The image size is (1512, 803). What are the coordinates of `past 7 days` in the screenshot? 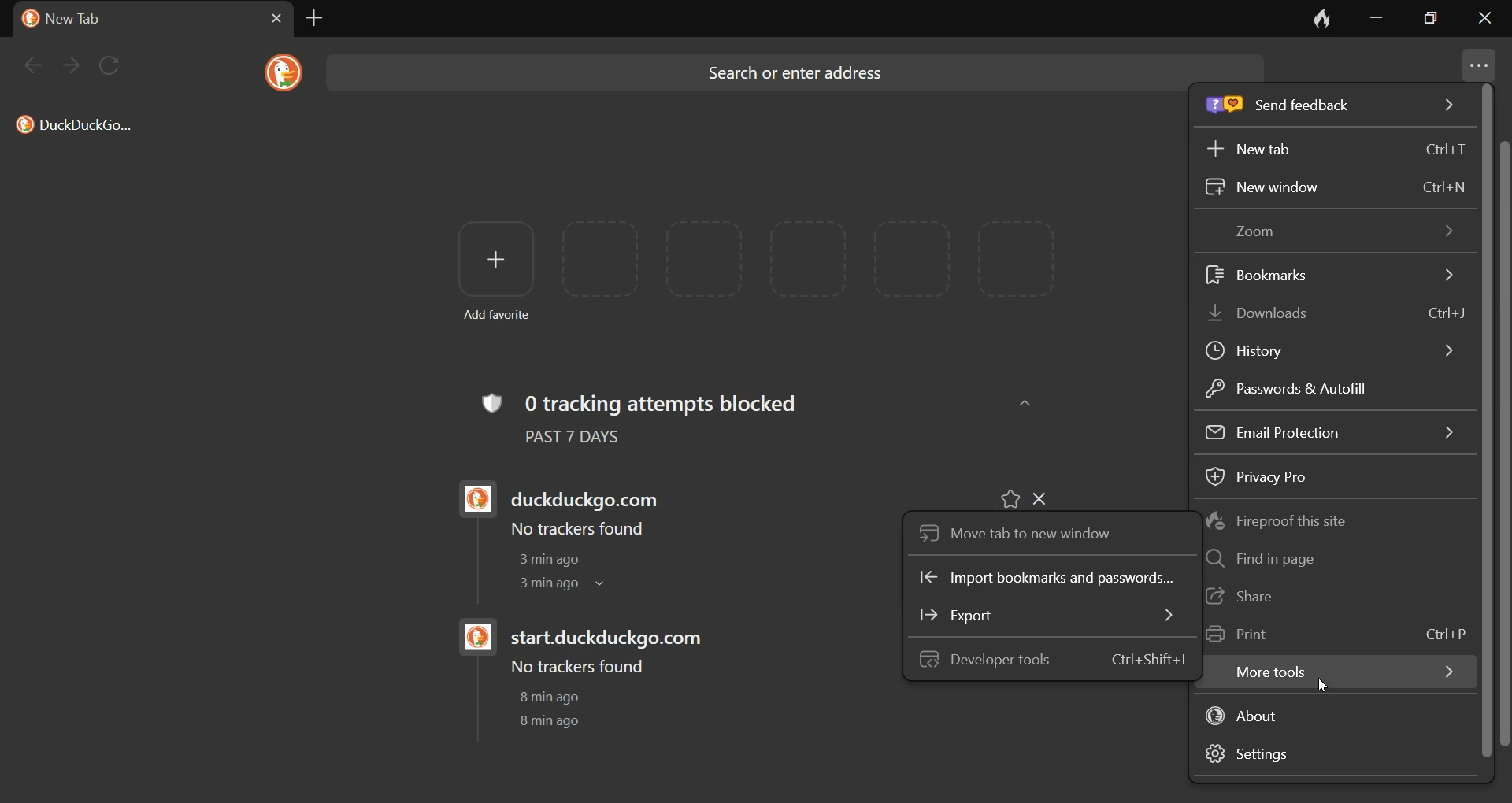 It's located at (592, 441).